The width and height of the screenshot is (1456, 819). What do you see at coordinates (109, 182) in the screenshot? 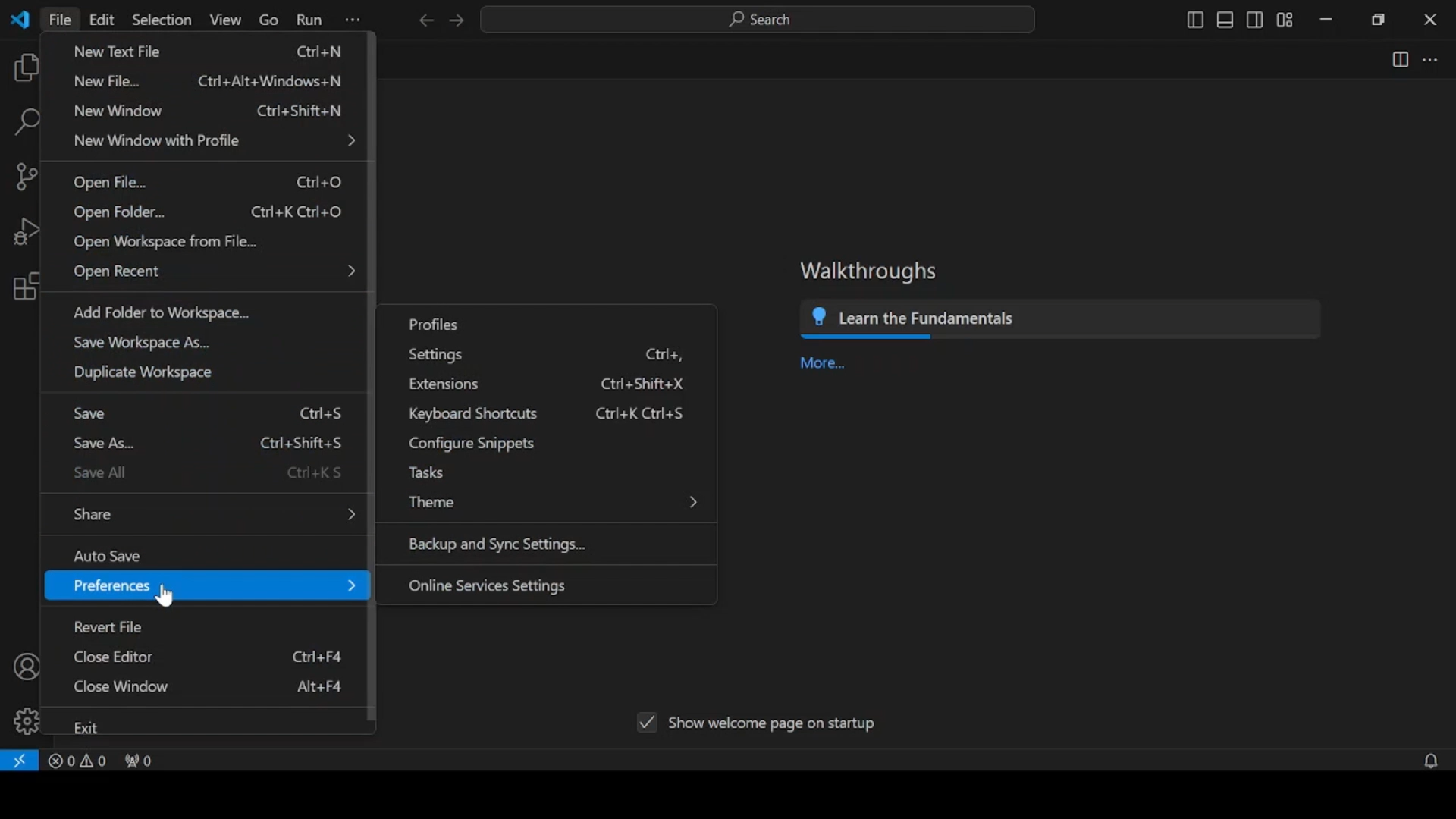
I see `open file` at bounding box center [109, 182].